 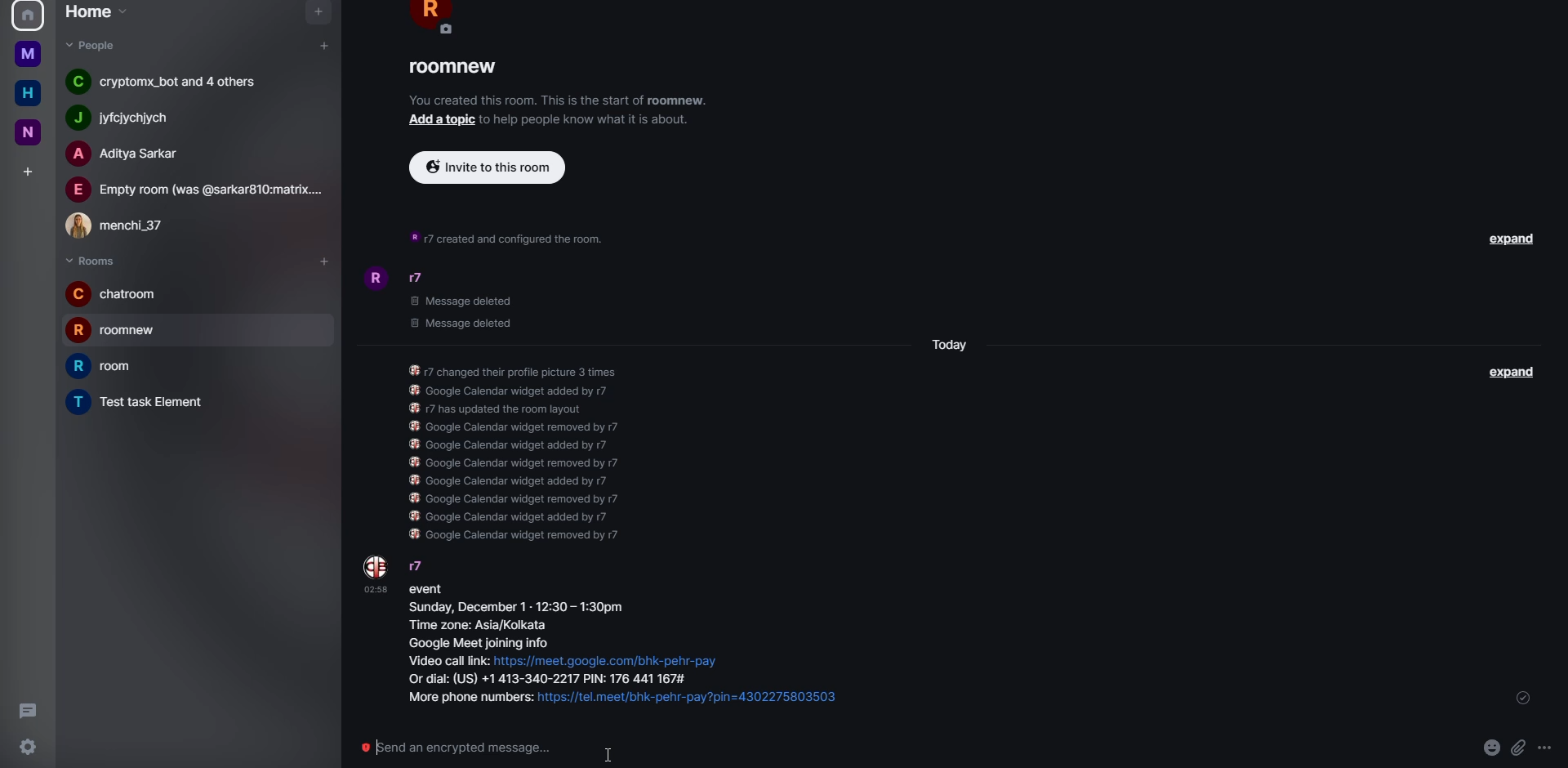 What do you see at coordinates (91, 47) in the screenshot?
I see `people` at bounding box center [91, 47].